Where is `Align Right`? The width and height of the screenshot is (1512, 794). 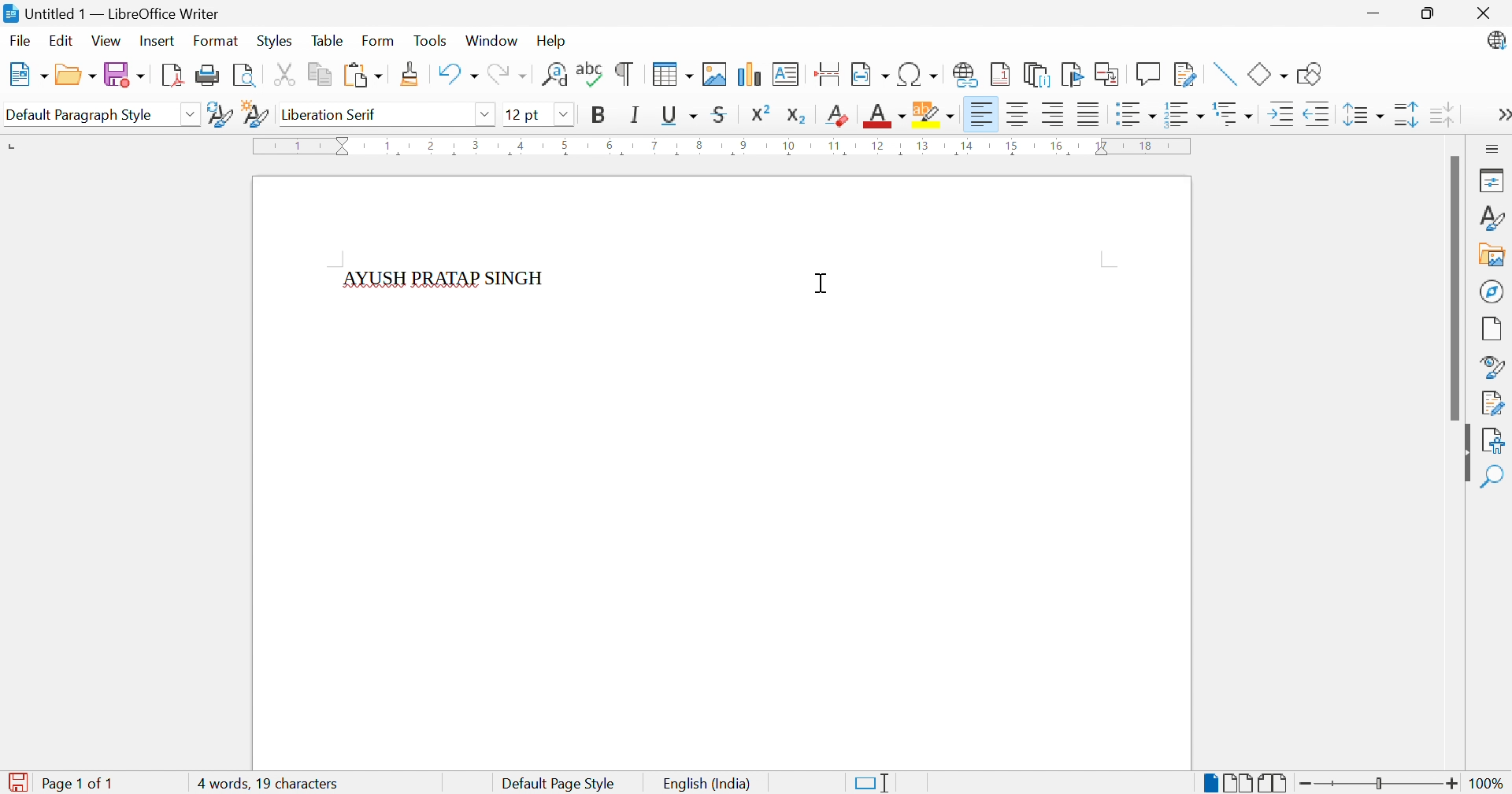 Align Right is located at coordinates (1053, 115).